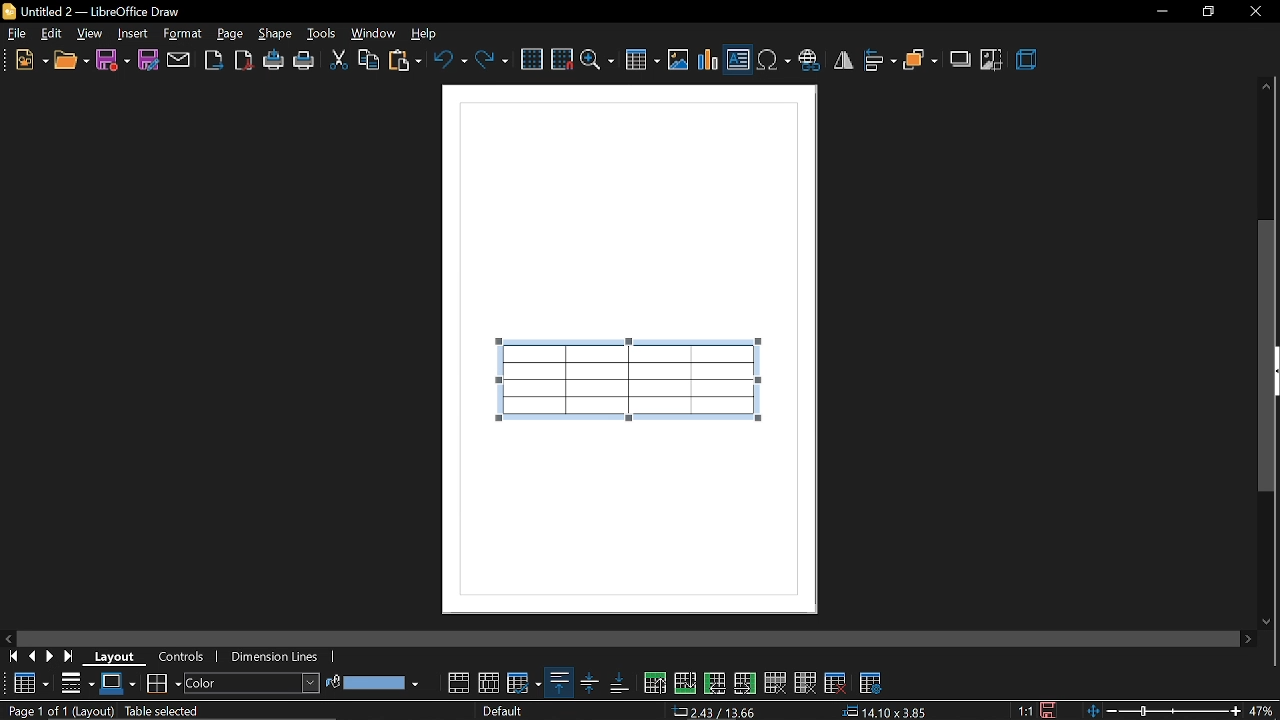  What do you see at coordinates (870, 680) in the screenshot?
I see `table properties` at bounding box center [870, 680].